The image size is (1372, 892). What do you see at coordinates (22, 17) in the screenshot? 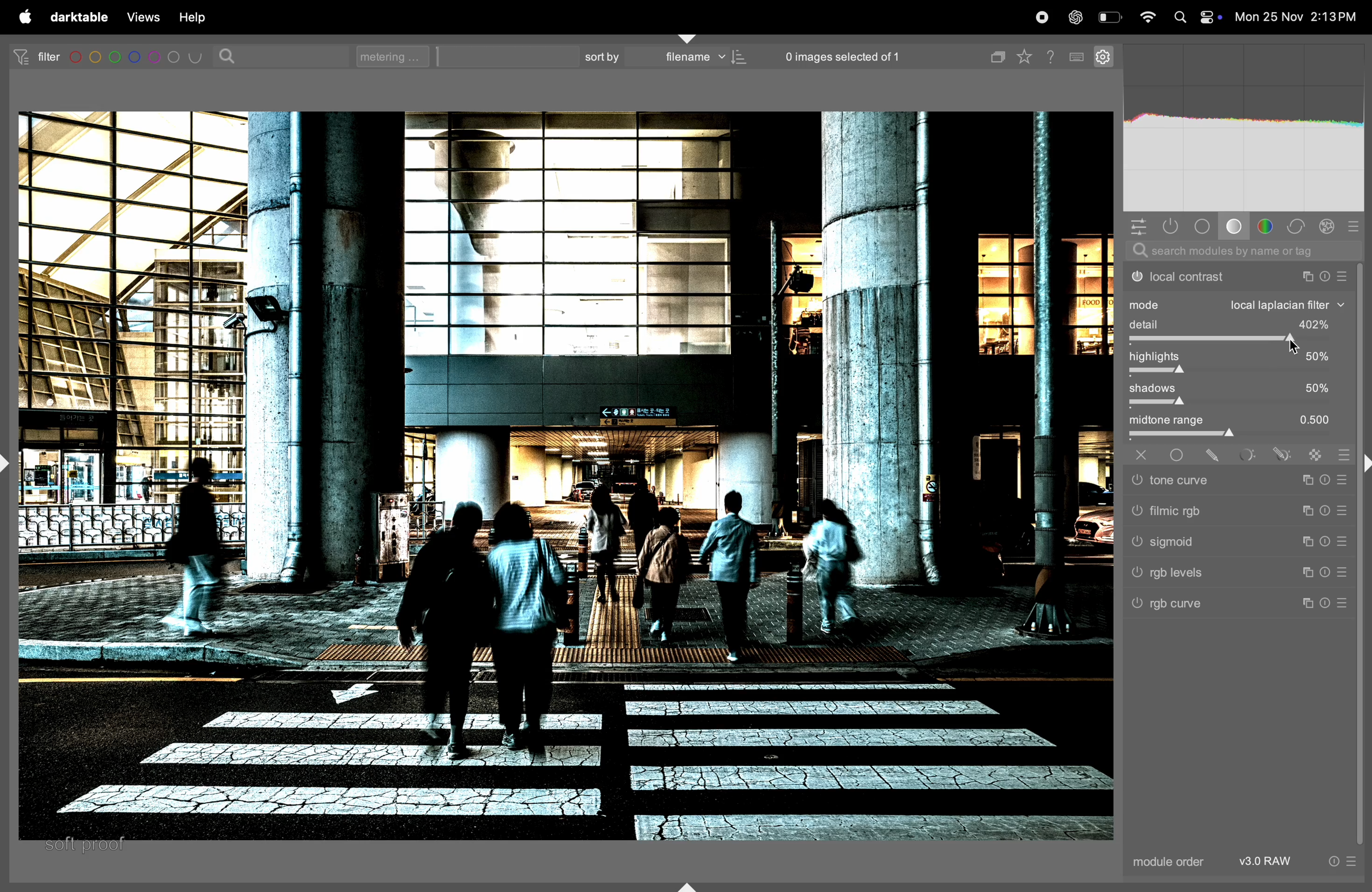
I see `apple menu` at bounding box center [22, 17].